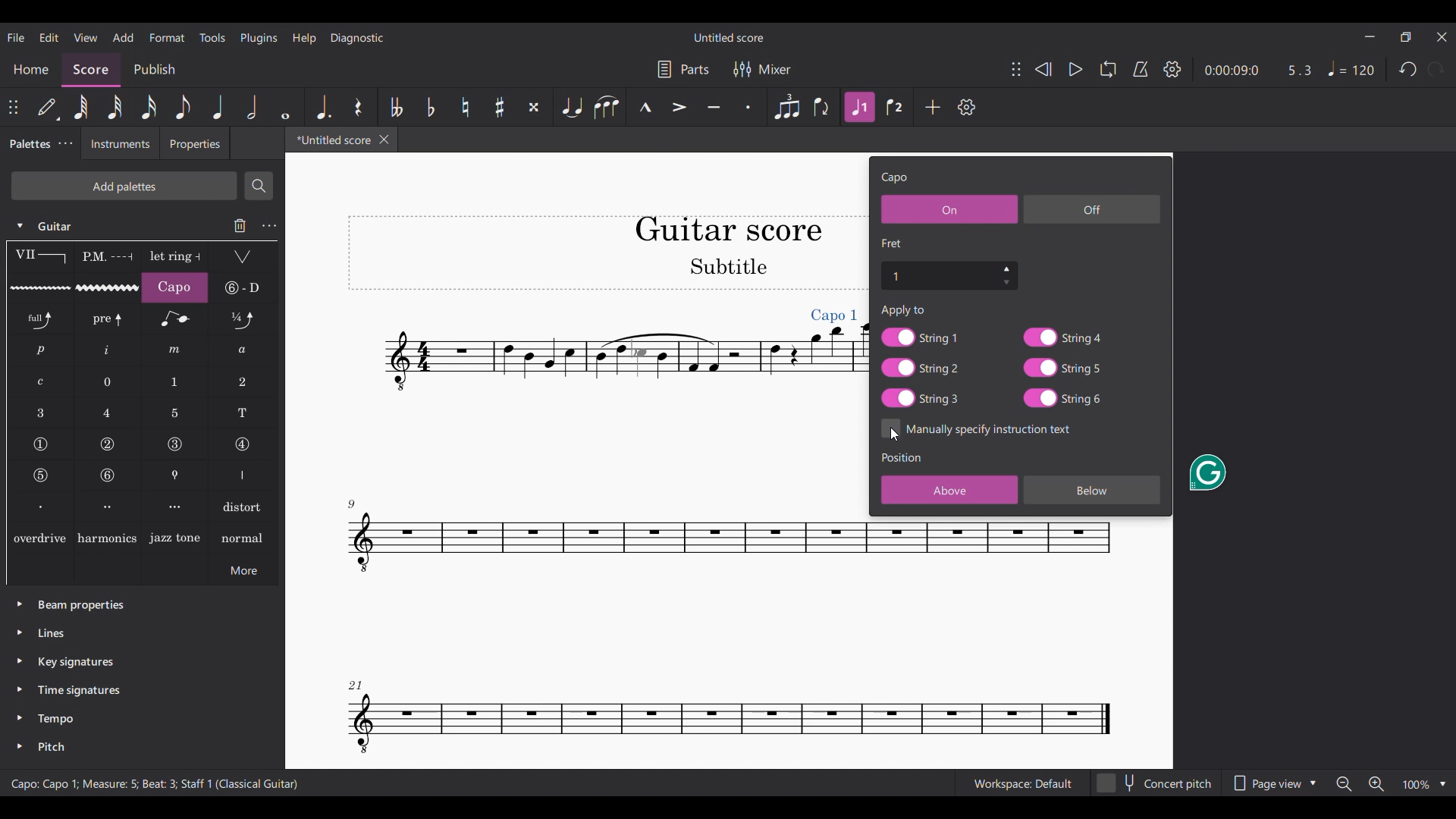 The height and width of the screenshot is (819, 1456). I want to click on Change position, so click(13, 107).